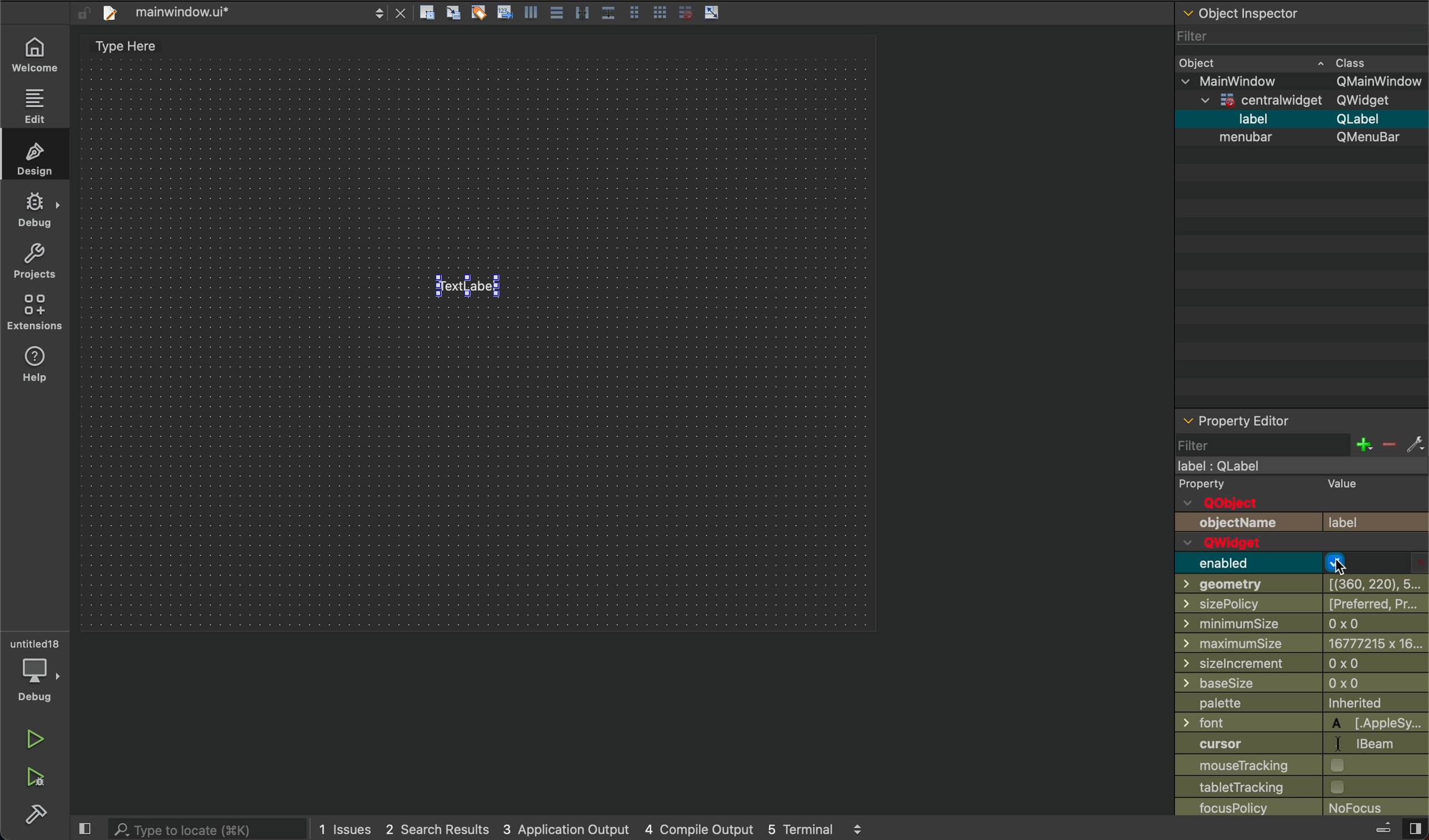  Describe the element at coordinates (1255, 544) in the screenshot. I see `QWwidget` at that location.